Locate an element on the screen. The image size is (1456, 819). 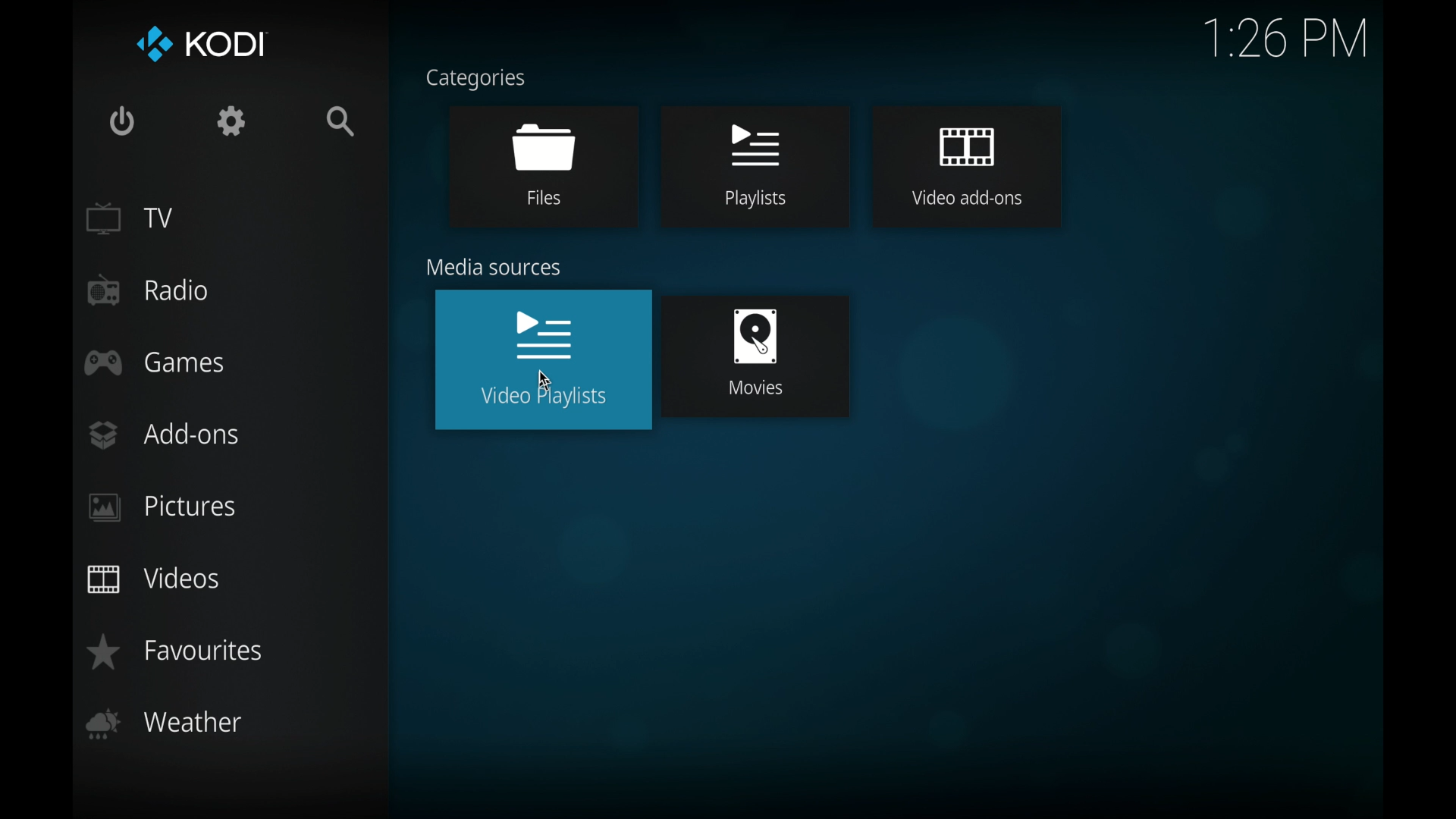
playlists is located at coordinates (752, 168).